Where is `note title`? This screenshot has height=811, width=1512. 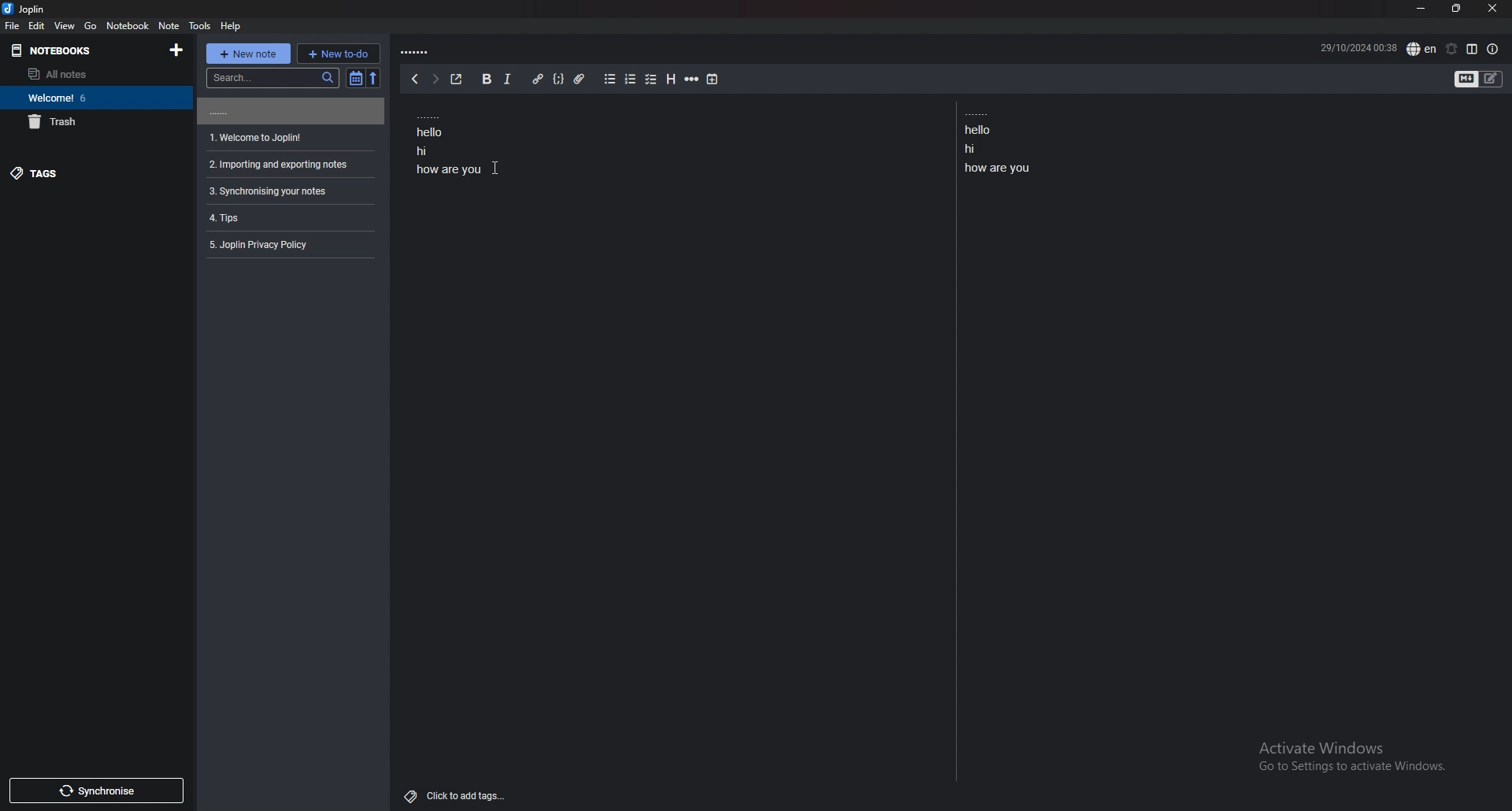
note title is located at coordinates (417, 53).